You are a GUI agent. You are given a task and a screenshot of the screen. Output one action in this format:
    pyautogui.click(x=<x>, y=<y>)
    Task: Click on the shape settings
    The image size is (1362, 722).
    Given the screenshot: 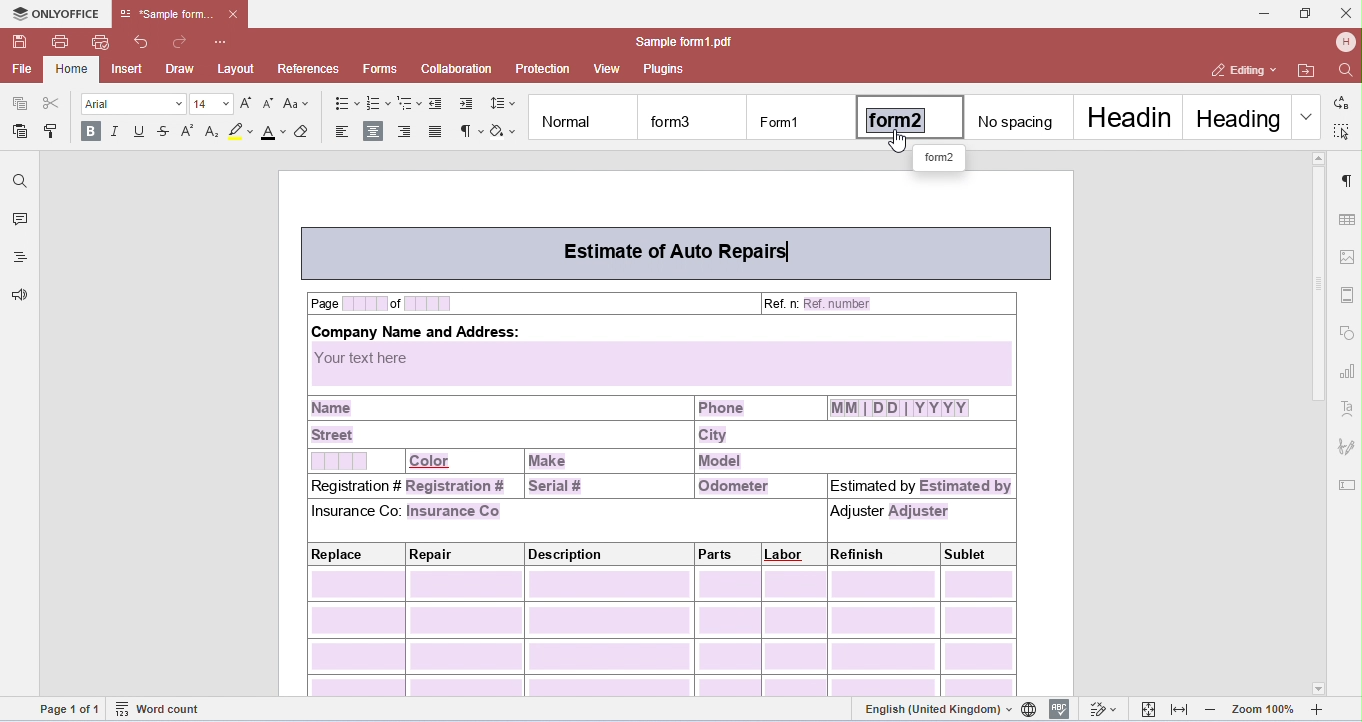 What is the action you would take?
    pyautogui.click(x=1348, y=330)
    